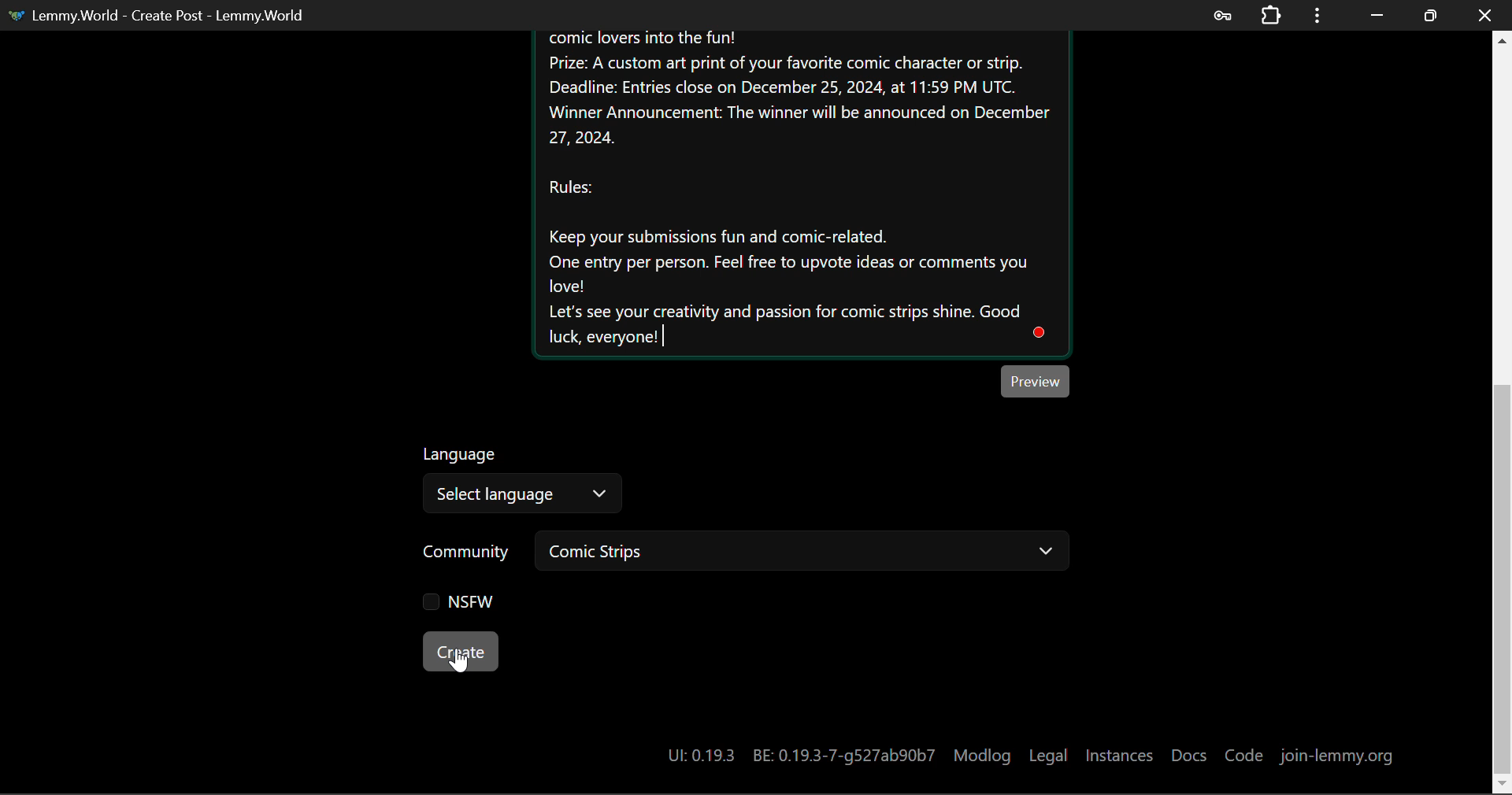  I want to click on Docs, so click(1191, 755).